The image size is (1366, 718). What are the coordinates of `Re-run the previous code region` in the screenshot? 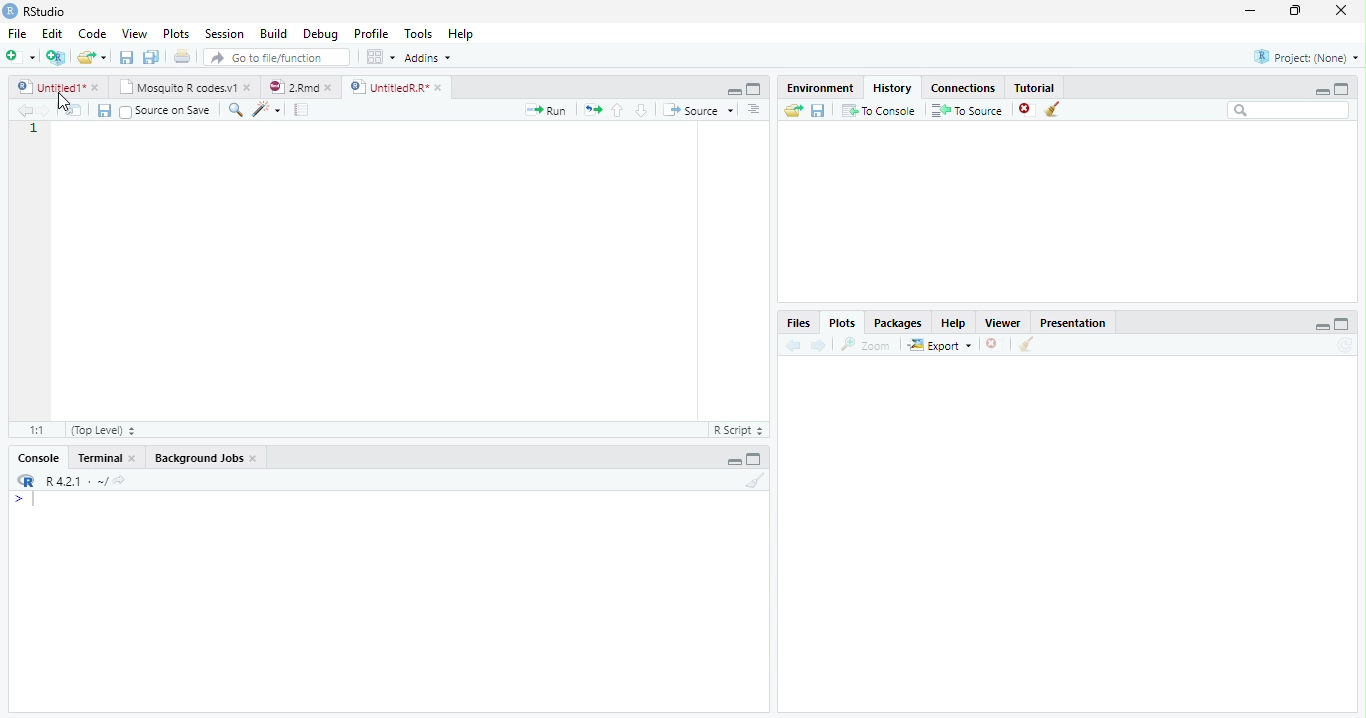 It's located at (592, 110).